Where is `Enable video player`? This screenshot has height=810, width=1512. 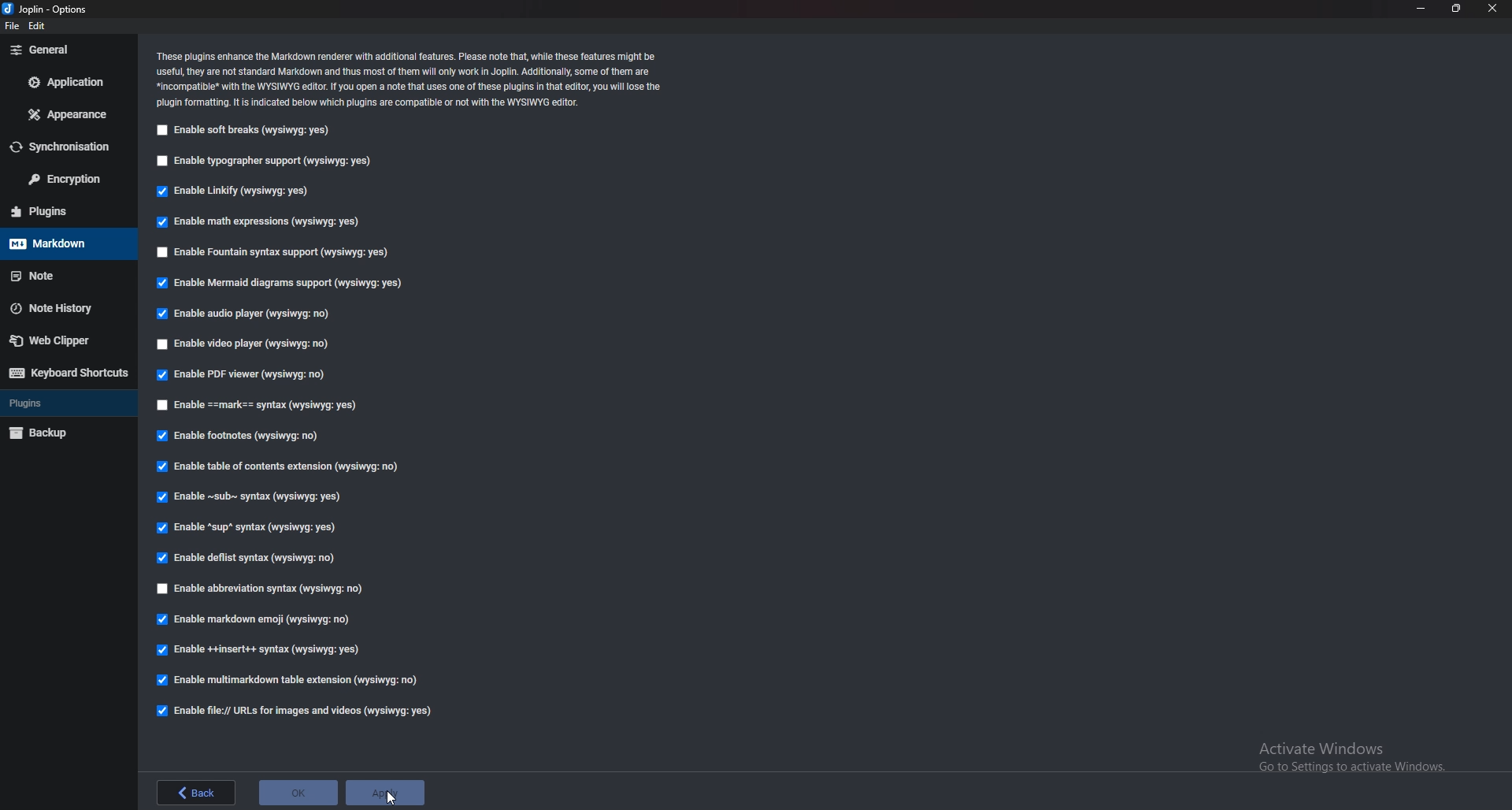
Enable video player is located at coordinates (244, 345).